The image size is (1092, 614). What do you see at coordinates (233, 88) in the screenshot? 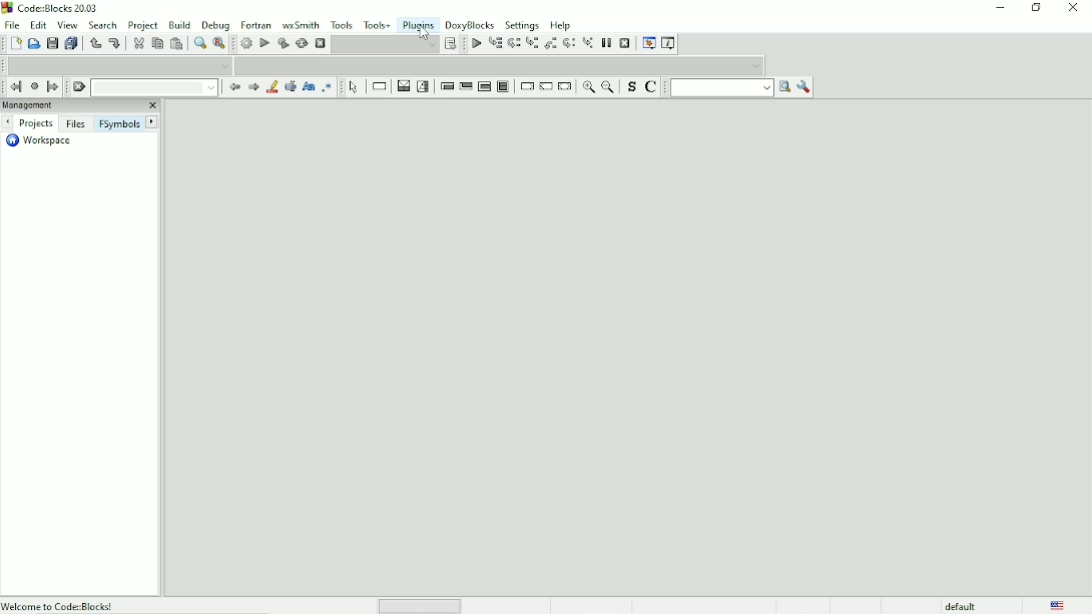
I see `Prev` at bounding box center [233, 88].